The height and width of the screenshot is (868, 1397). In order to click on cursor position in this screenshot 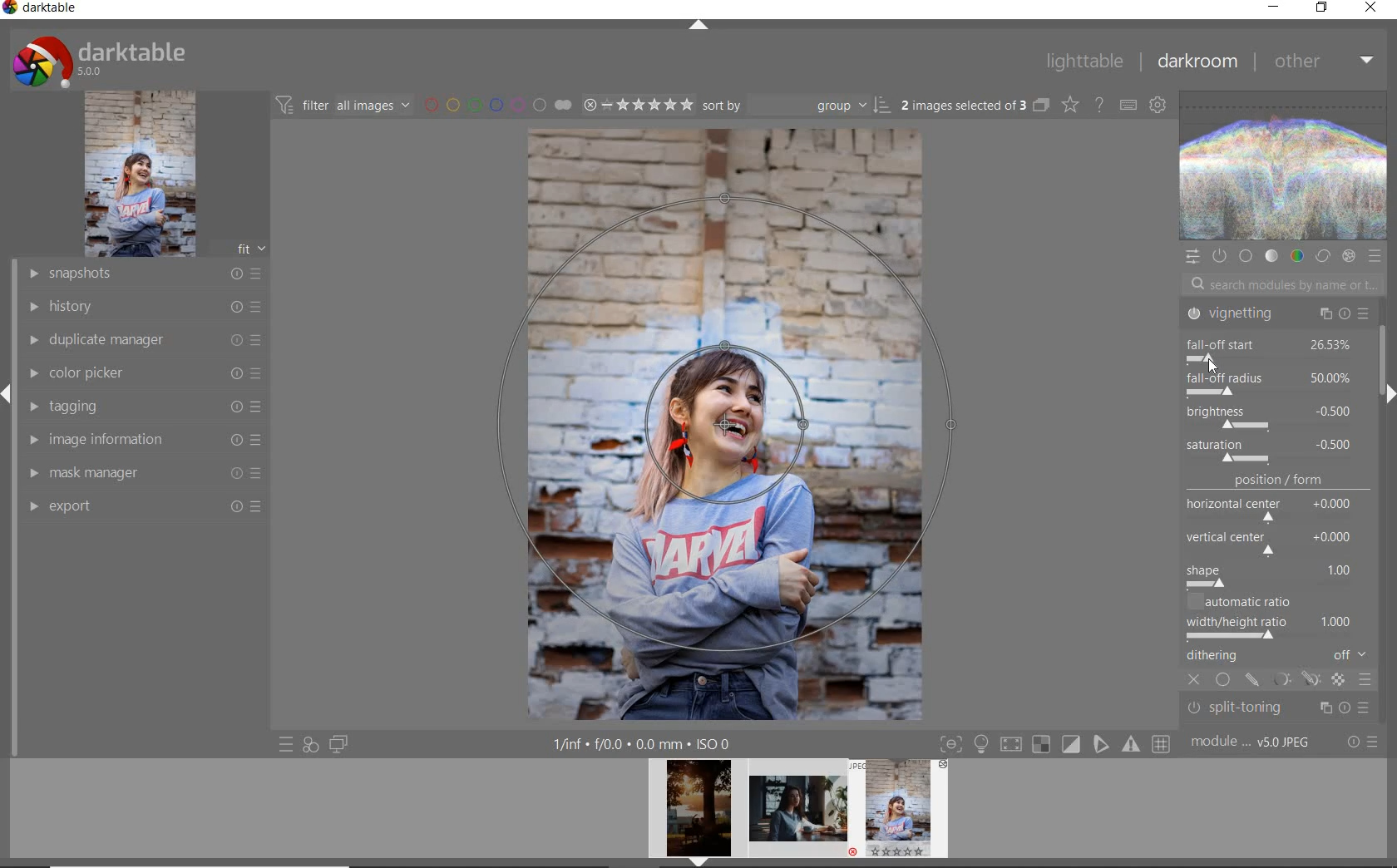, I will do `click(1213, 363)`.